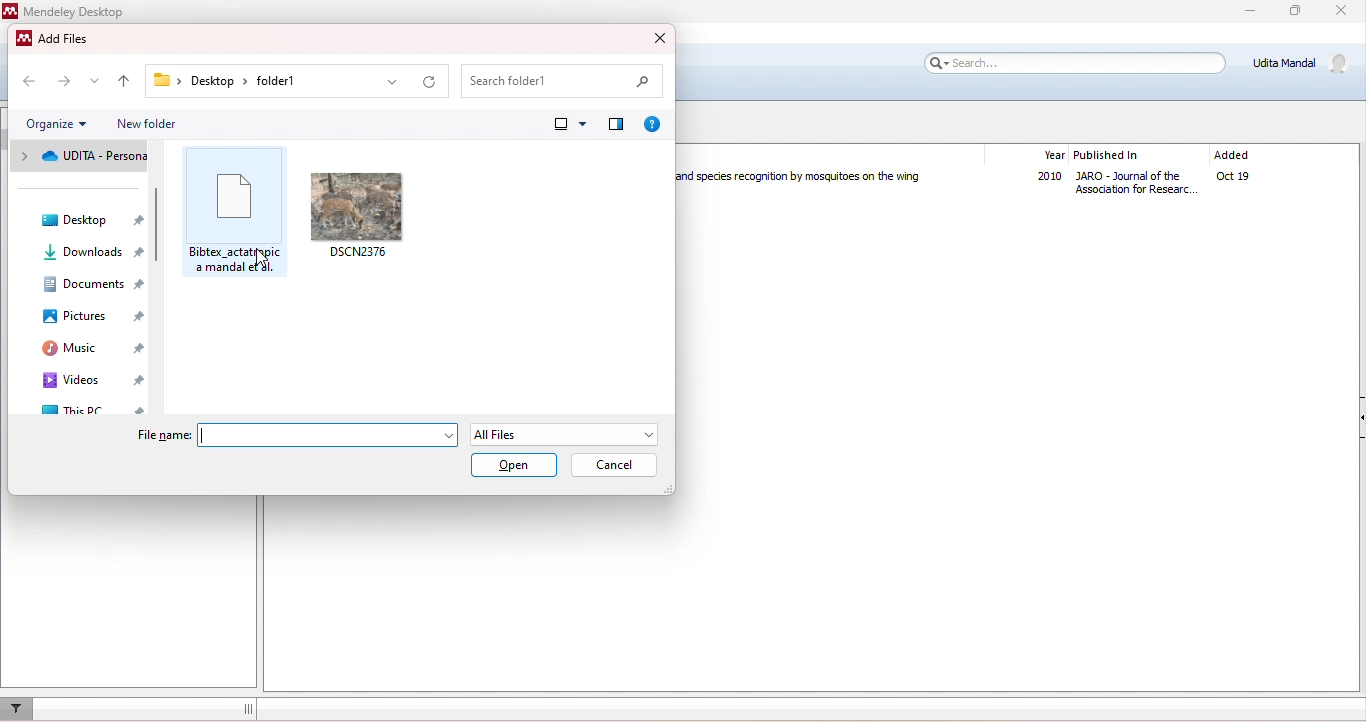  Describe the element at coordinates (565, 433) in the screenshot. I see `All Files` at that location.